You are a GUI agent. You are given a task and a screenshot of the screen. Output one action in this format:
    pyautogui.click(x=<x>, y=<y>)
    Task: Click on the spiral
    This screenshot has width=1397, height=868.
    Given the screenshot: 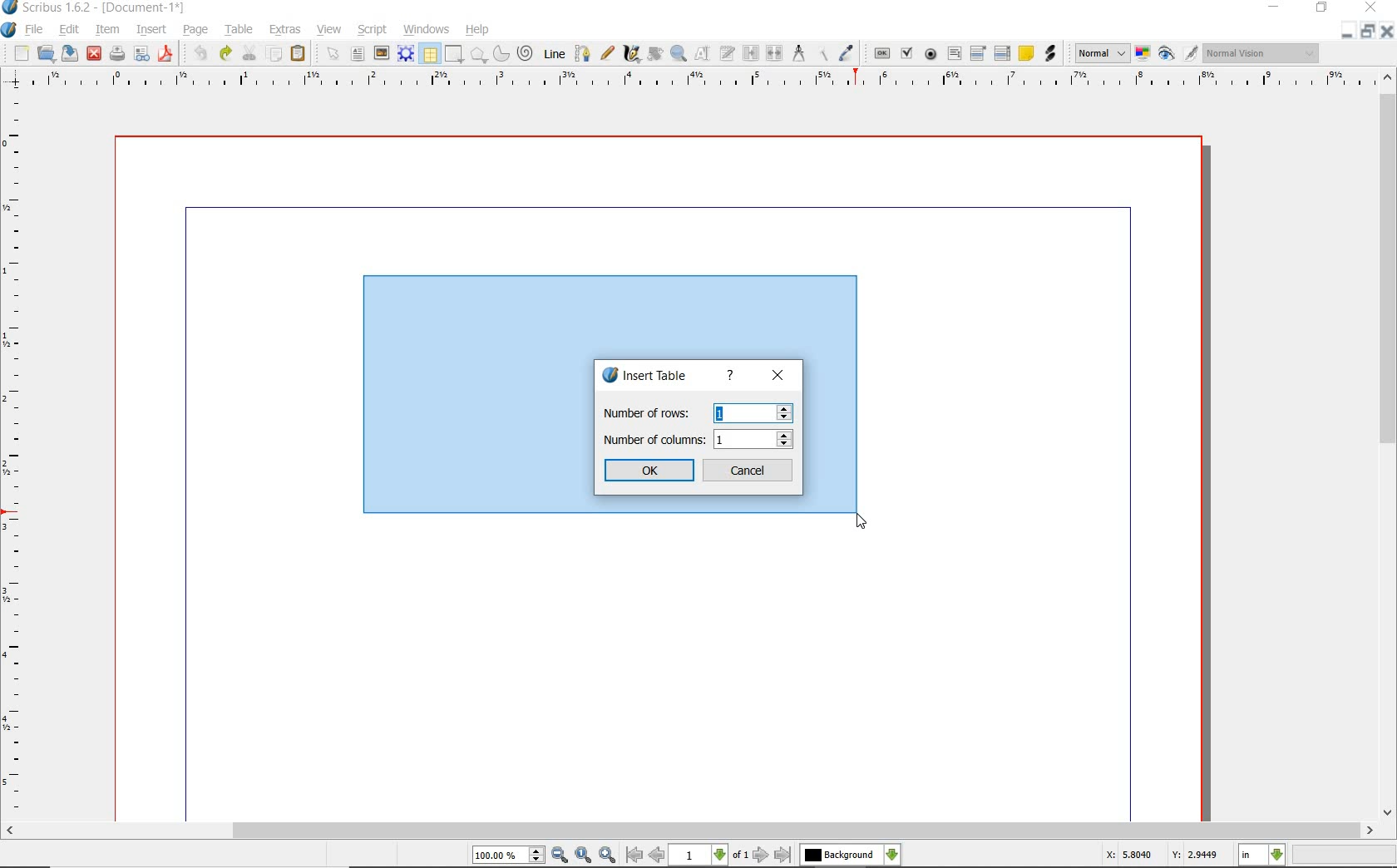 What is the action you would take?
    pyautogui.click(x=526, y=54)
    